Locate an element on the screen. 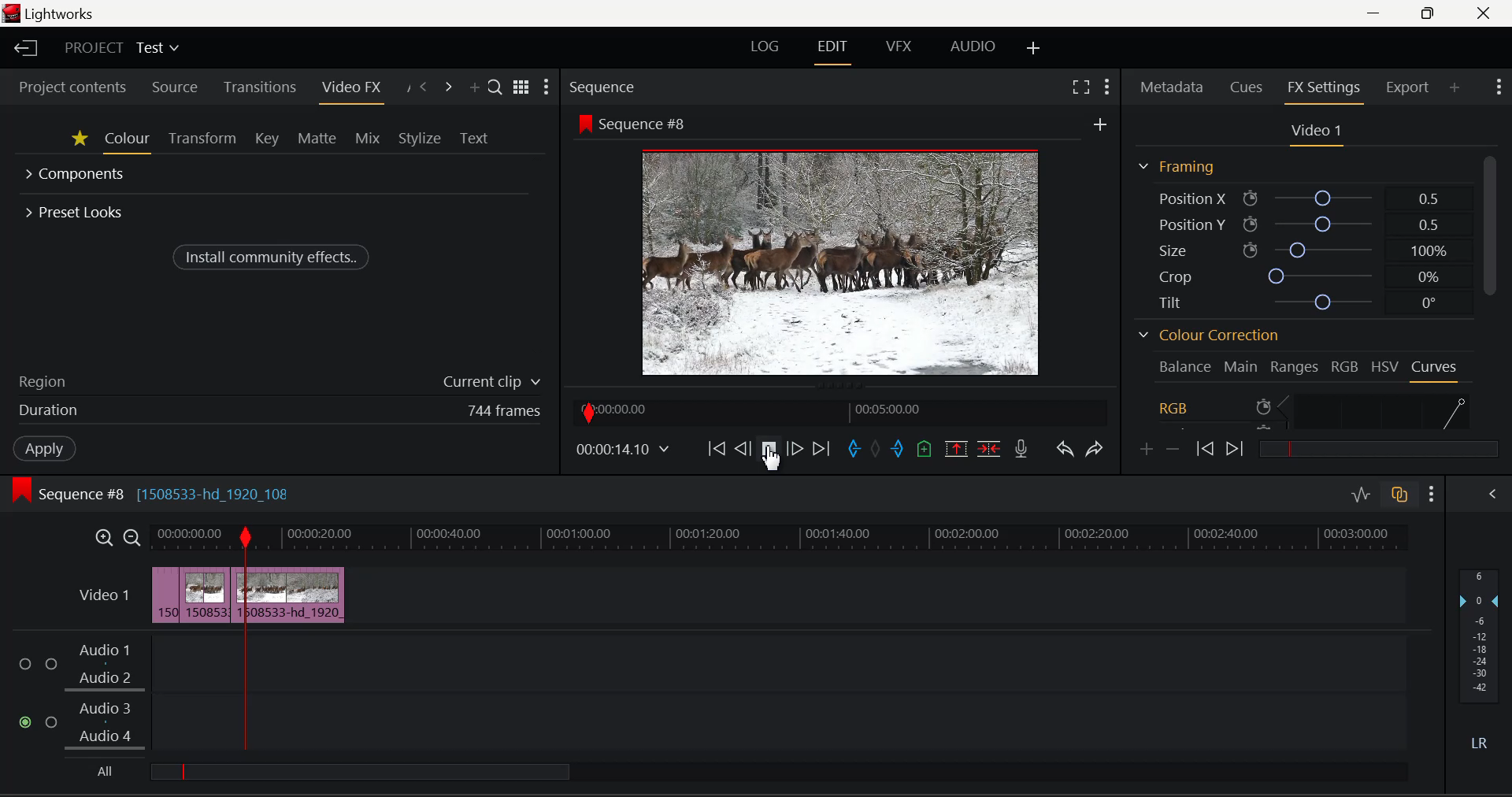 The width and height of the screenshot is (1512, 797). Timeline Zoom Out is located at coordinates (131, 538).